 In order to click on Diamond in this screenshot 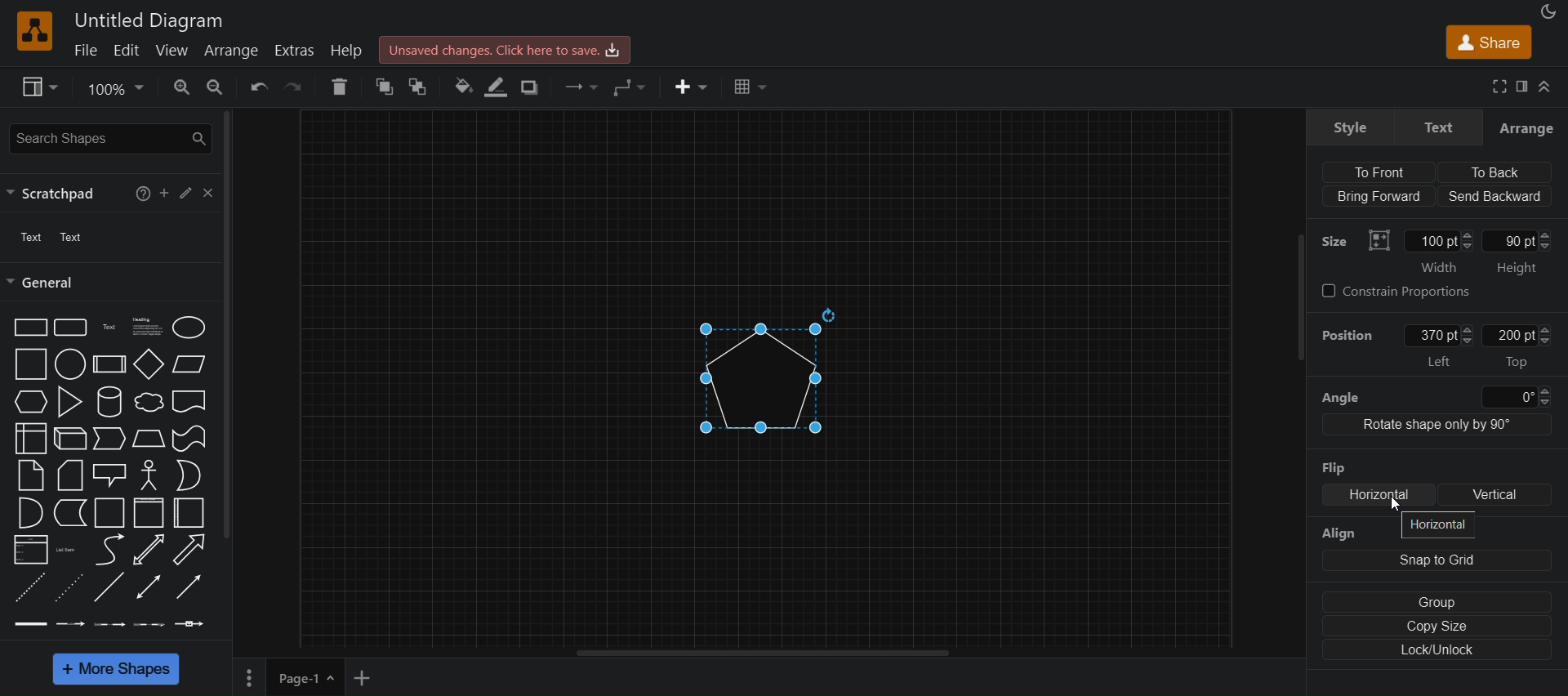, I will do `click(149, 364)`.